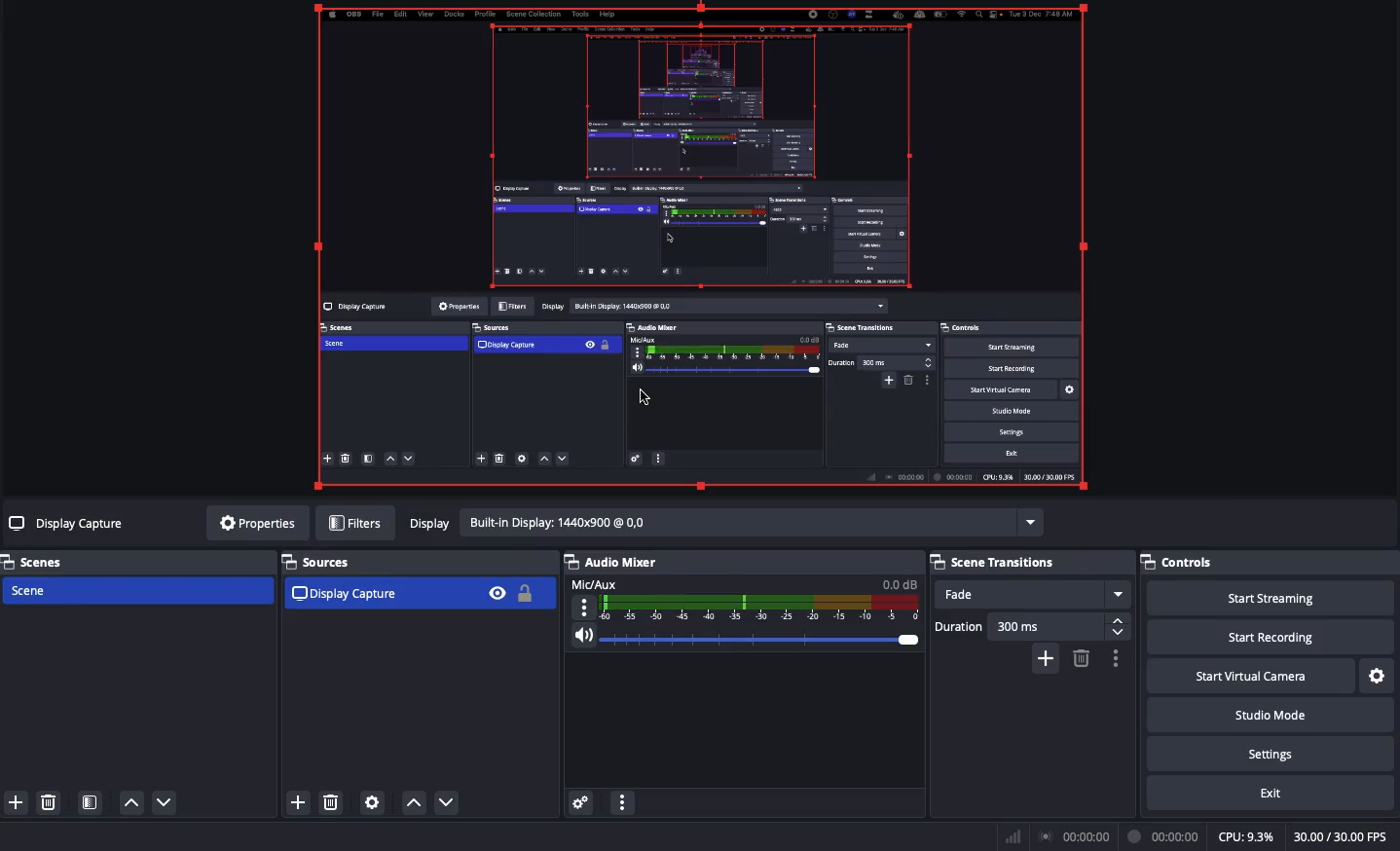 This screenshot has height=851, width=1400. Describe the element at coordinates (1013, 836) in the screenshot. I see `Bars` at that location.